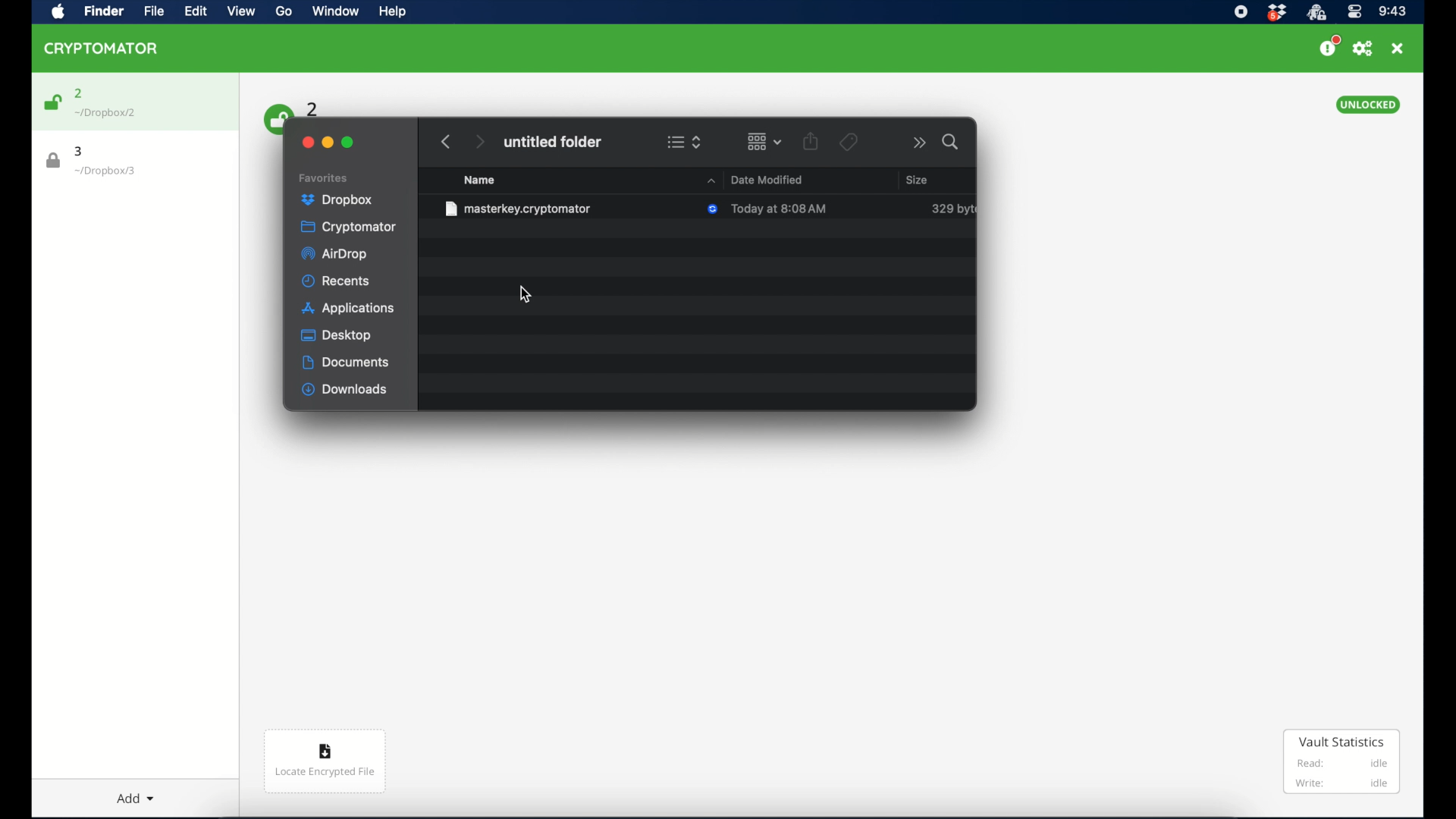  Describe the element at coordinates (106, 113) in the screenshot. I see `location` at that location.